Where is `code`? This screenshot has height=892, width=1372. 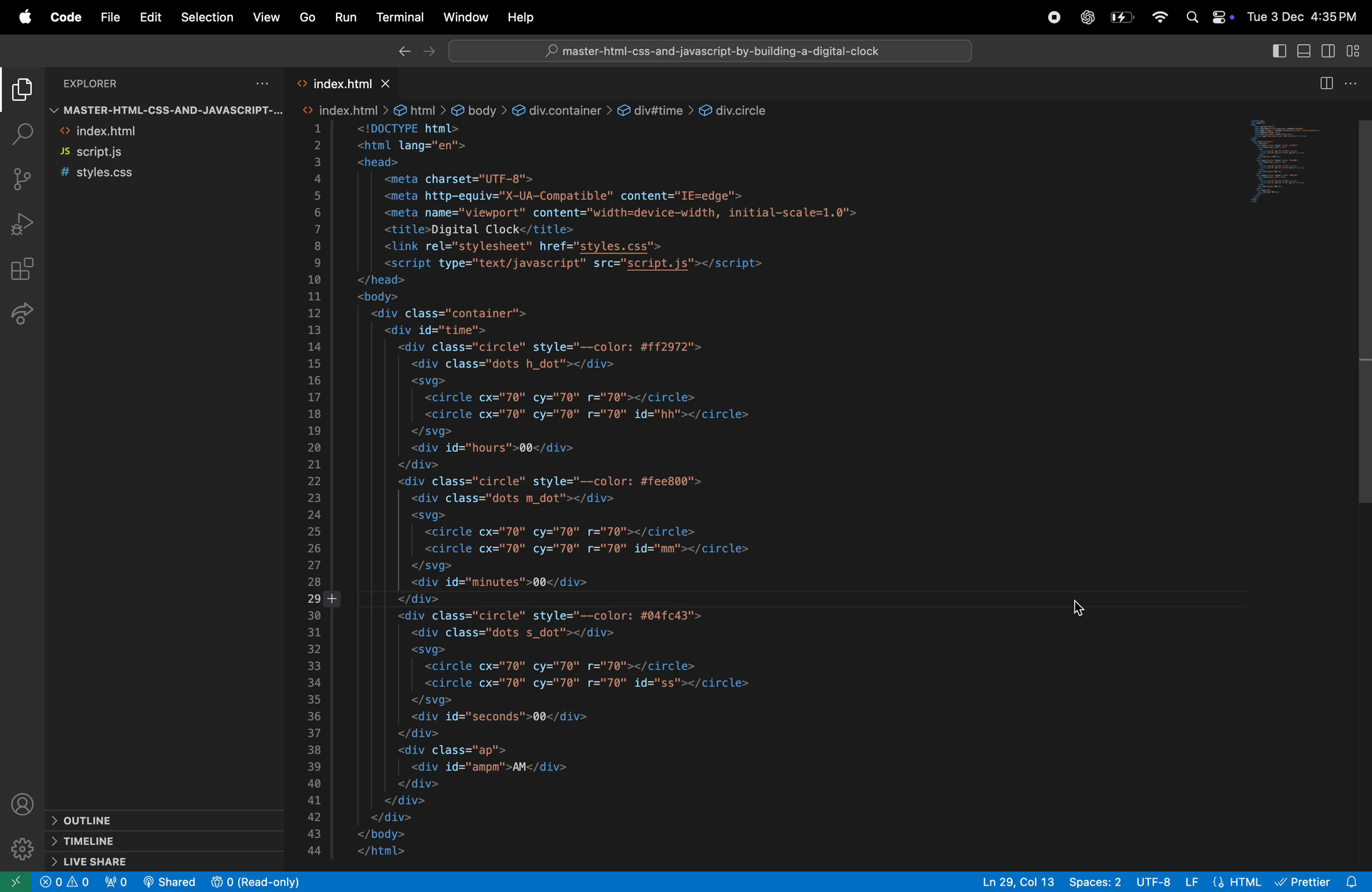
code is located at coordinates (63, 16).